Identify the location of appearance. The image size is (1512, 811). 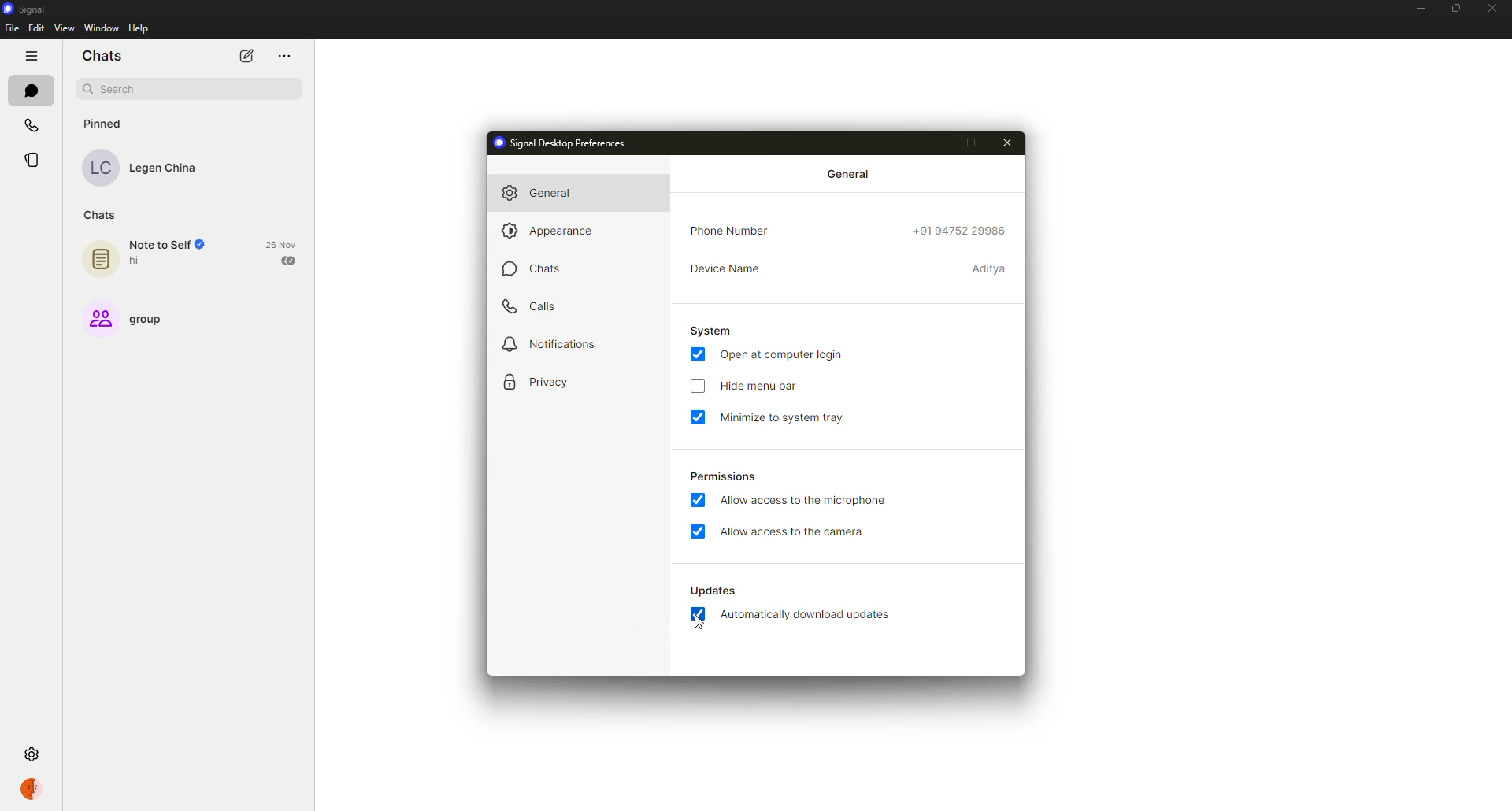
(548, 231).